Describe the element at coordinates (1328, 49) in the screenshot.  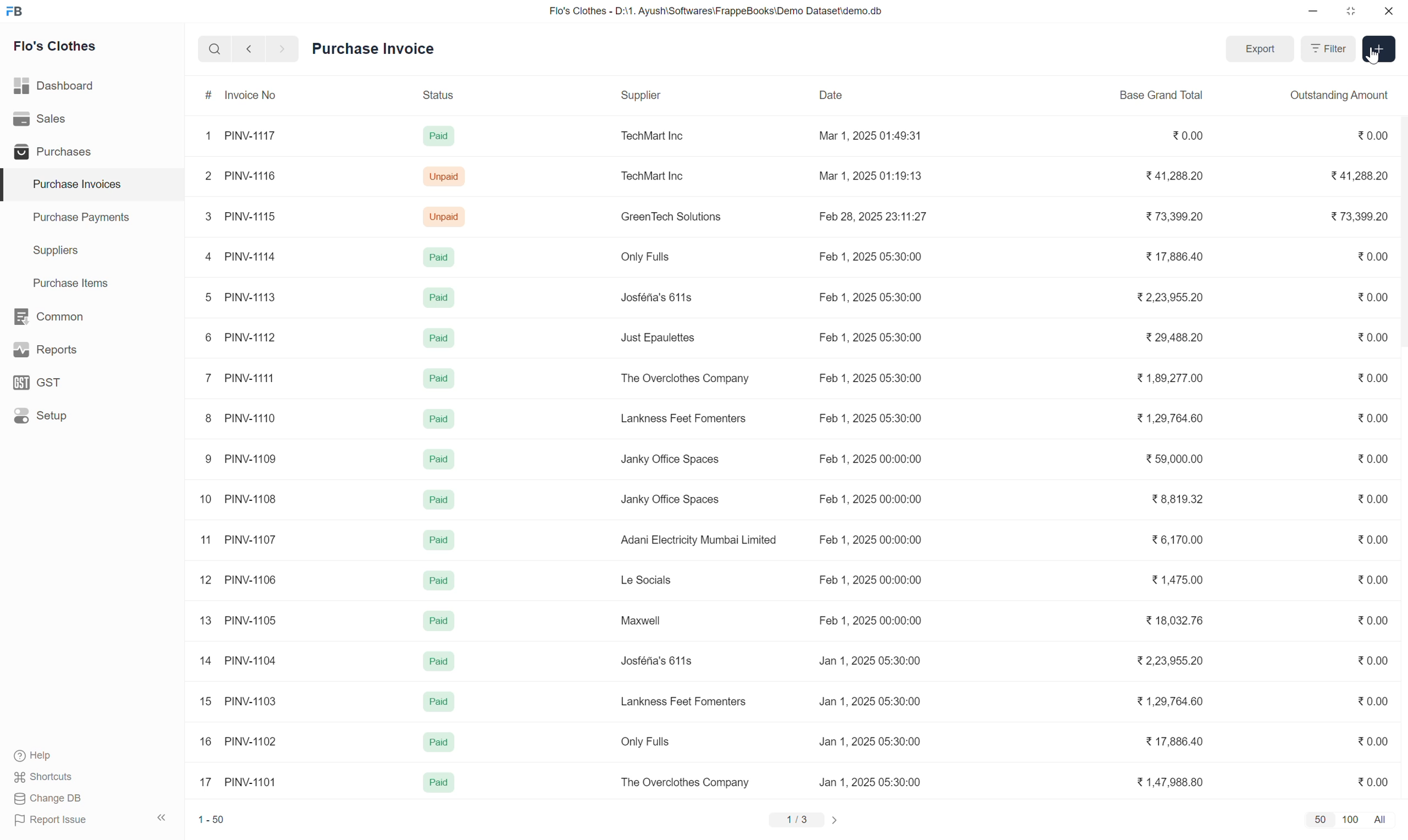
I see `Filter` at that location.